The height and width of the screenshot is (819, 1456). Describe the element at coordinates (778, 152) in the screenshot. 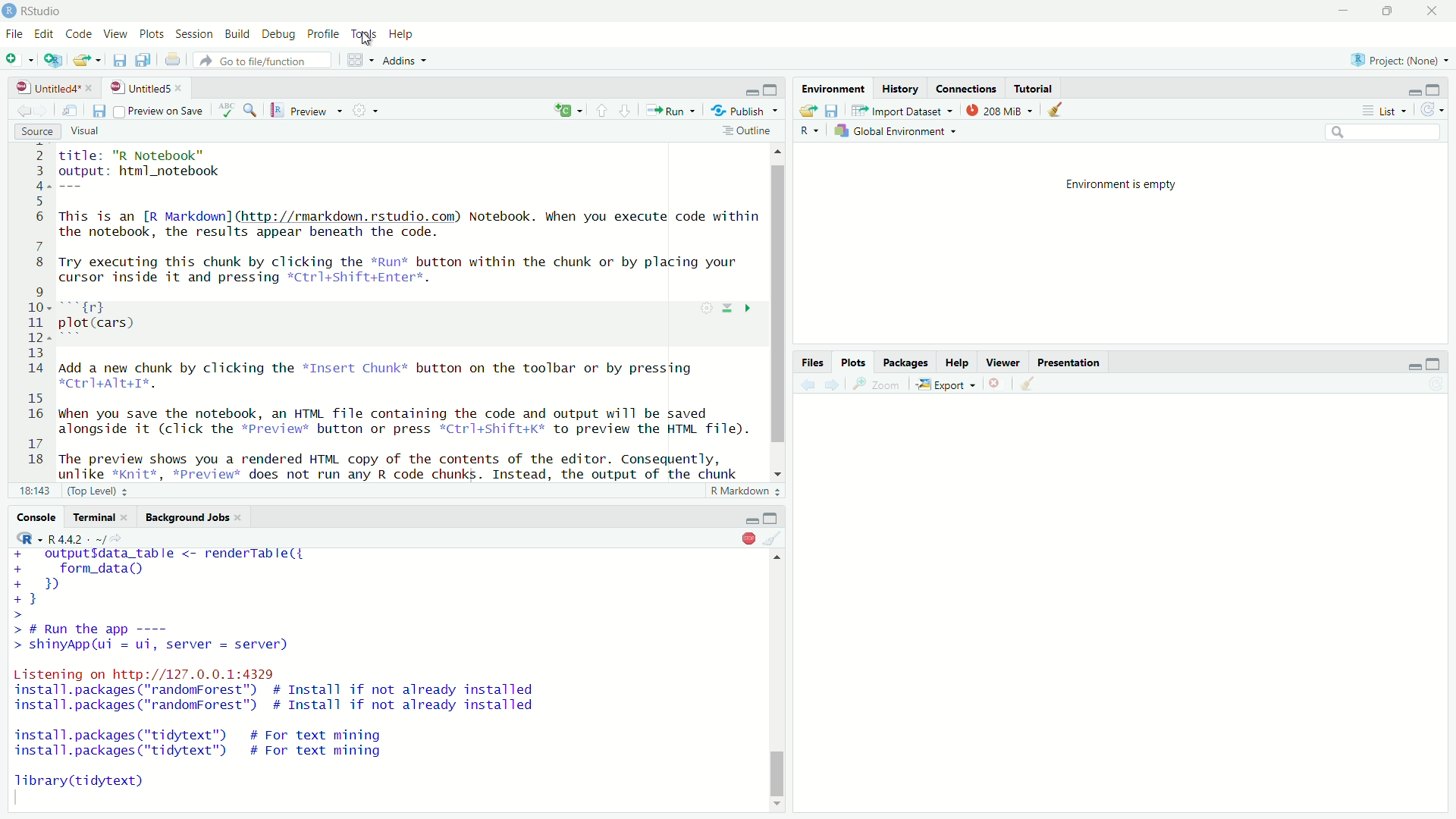

I see `scrollbar up` at that location.